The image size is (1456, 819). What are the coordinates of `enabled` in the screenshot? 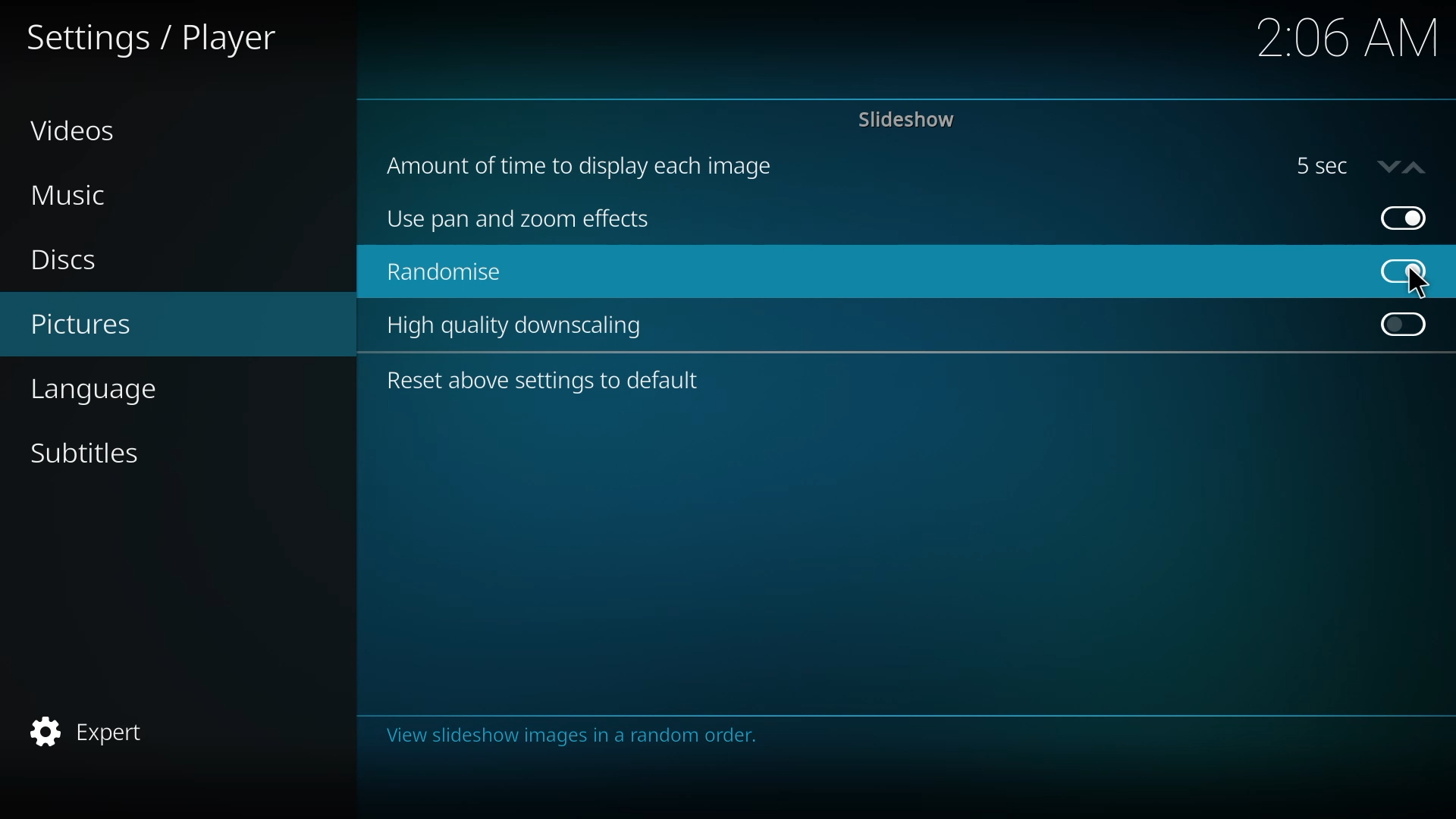 It's located at (1404, 217).